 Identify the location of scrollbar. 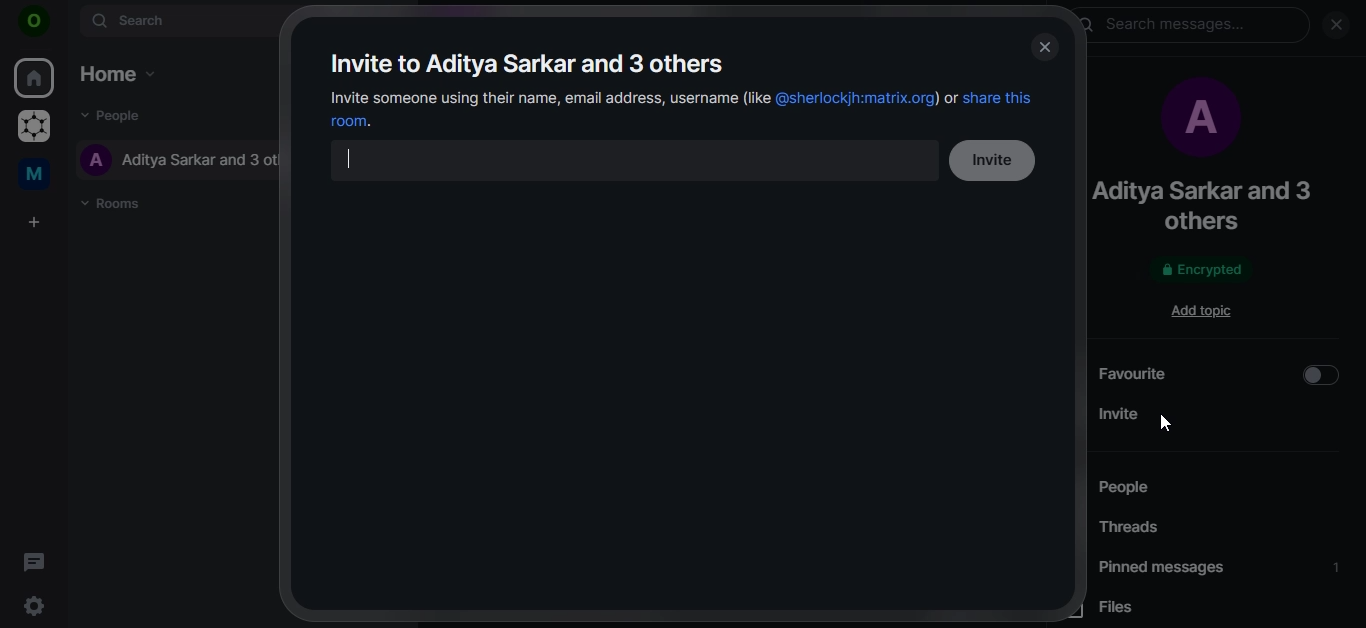
(1357, 224).